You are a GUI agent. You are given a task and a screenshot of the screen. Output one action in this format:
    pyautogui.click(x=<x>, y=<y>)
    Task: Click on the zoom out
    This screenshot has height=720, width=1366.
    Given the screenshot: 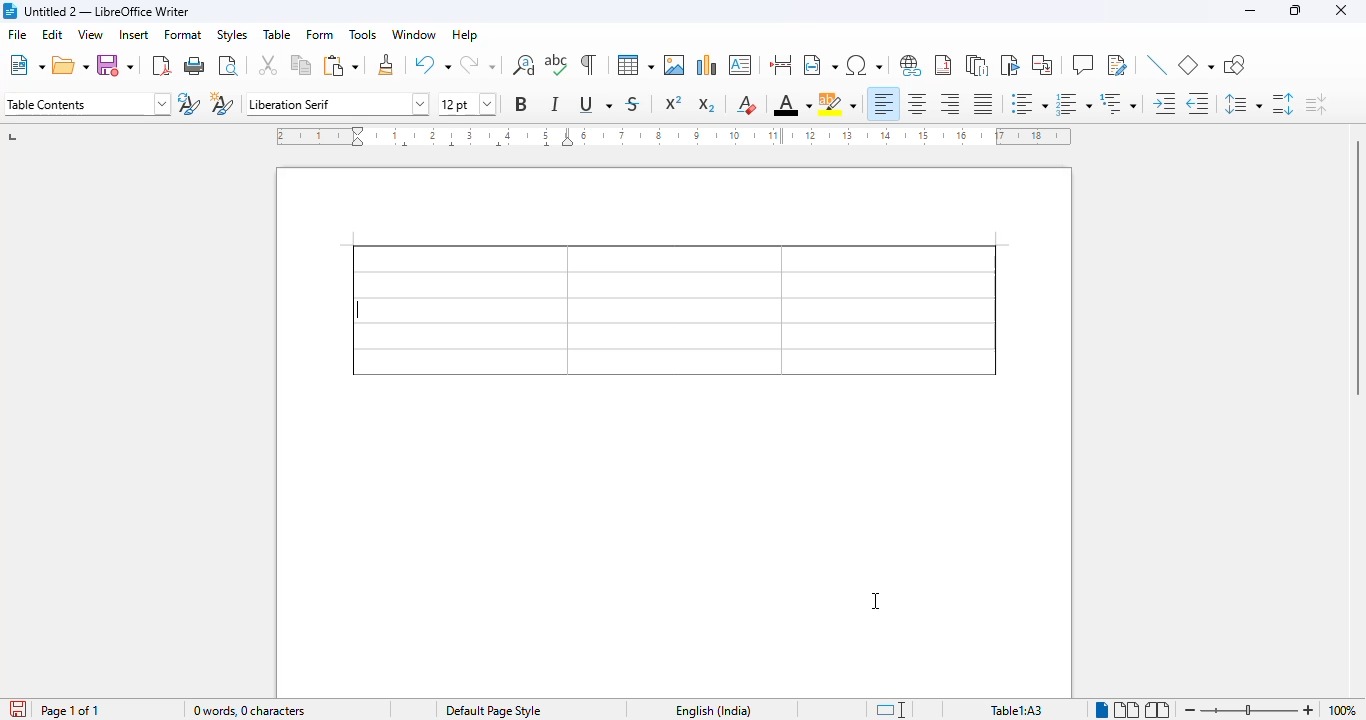 What is the action you would take?
    pyautogui.click(x=1191, y=710)
    